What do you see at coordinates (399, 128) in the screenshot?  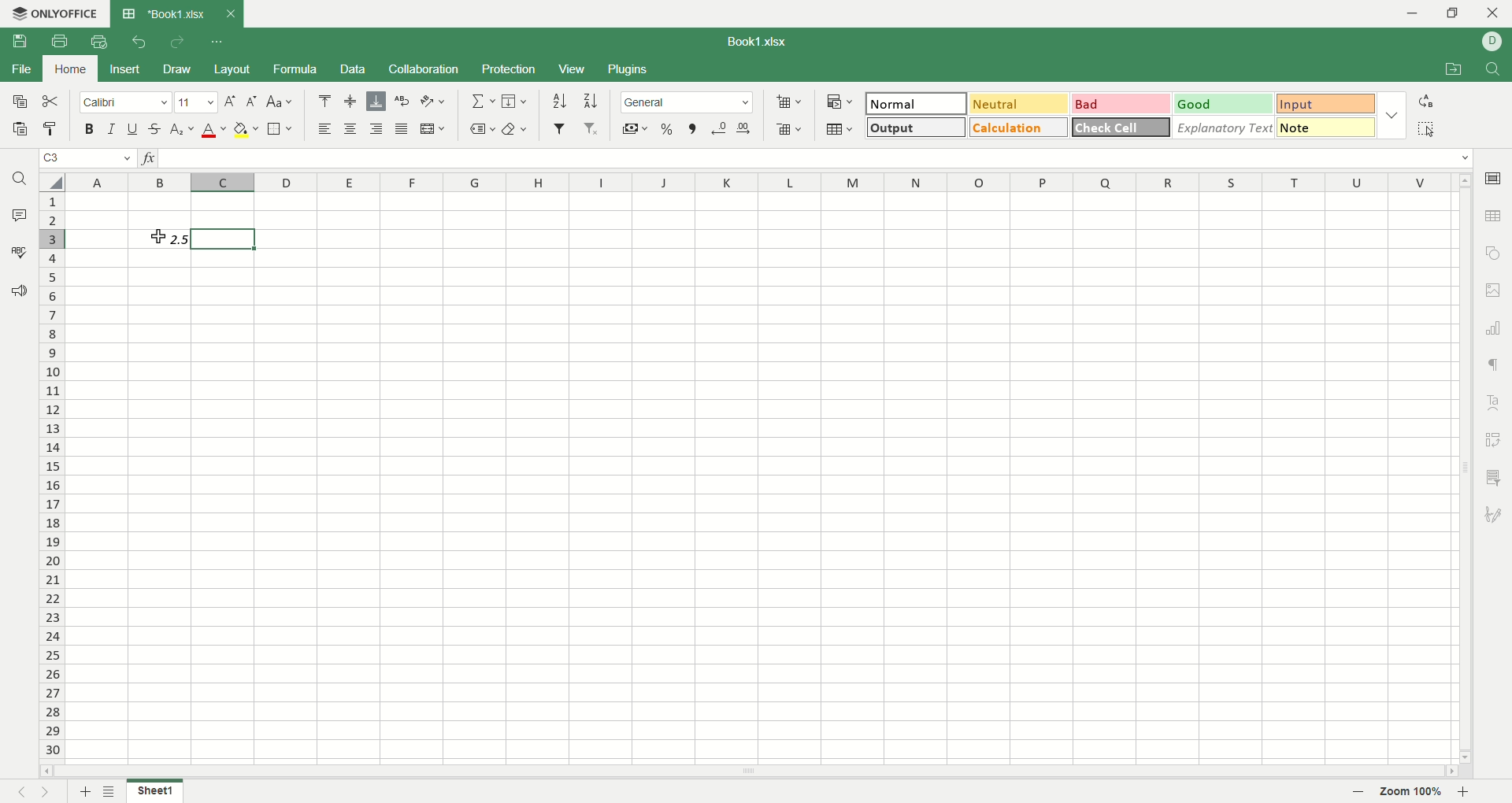 I see `justified` at bounding box center [399, 128].